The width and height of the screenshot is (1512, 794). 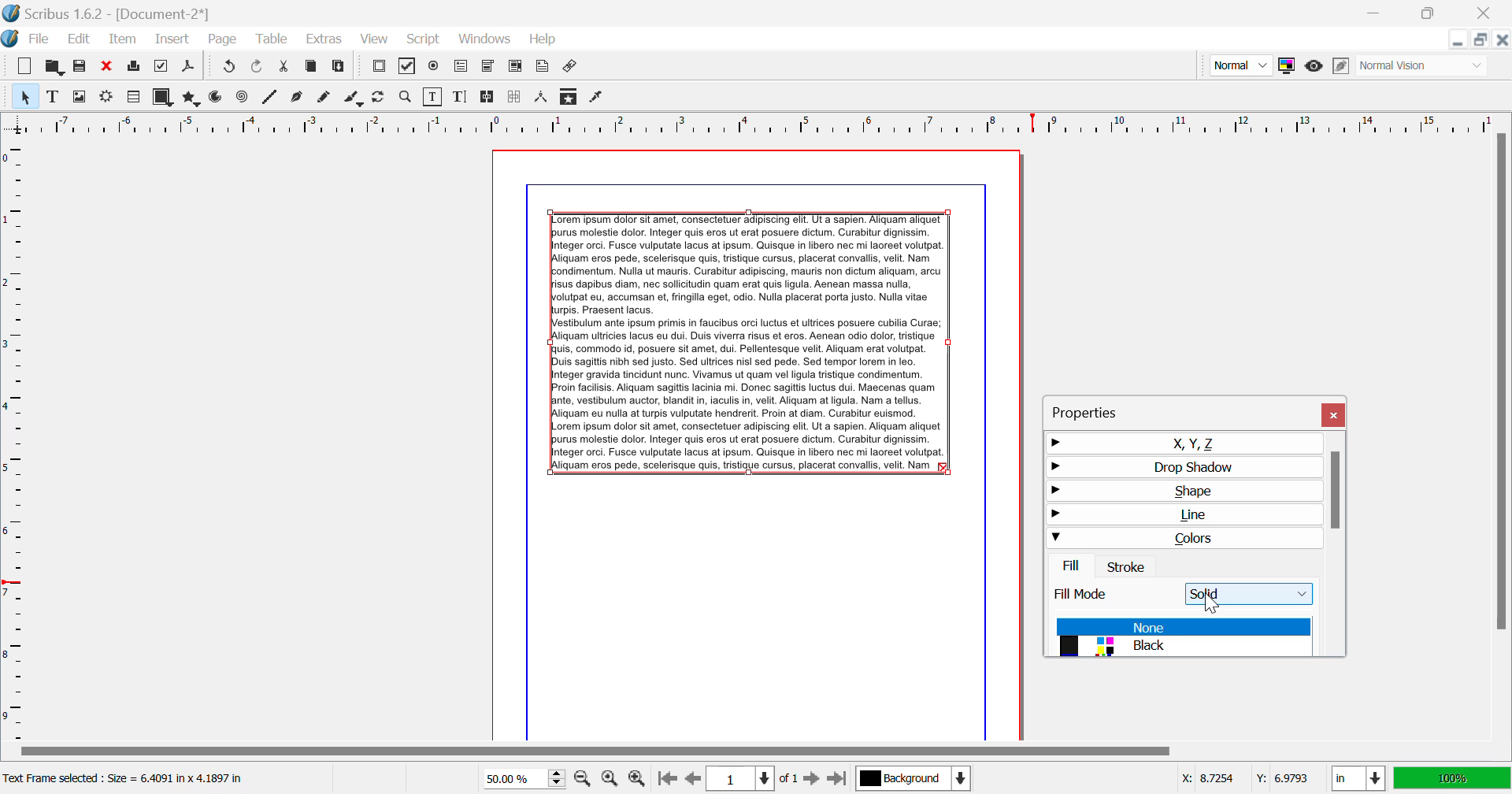 I want to click on Insert, so click(x=173, y=40).